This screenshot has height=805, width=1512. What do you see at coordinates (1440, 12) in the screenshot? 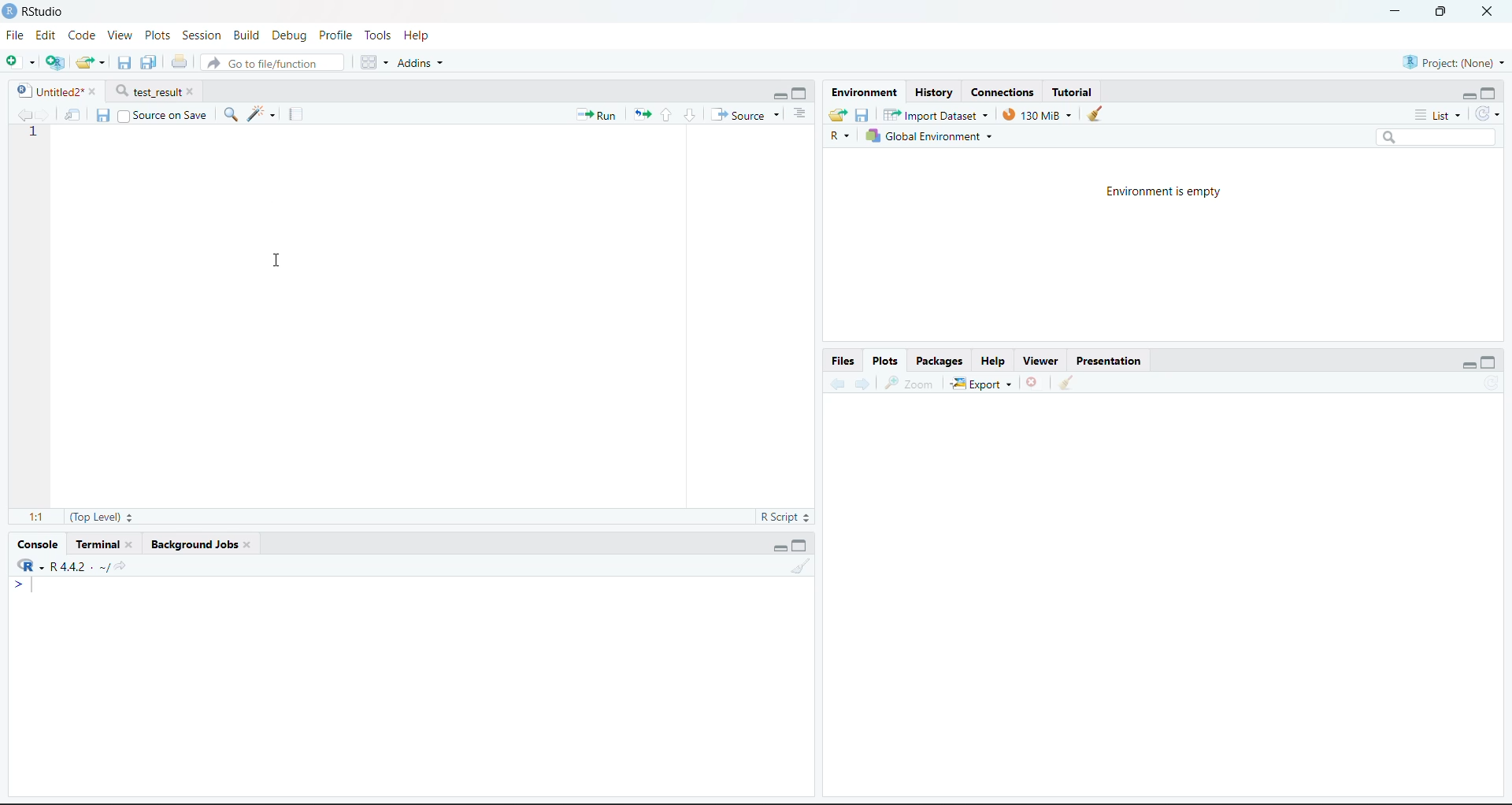
I see `Maximize` at bounding box center [1440, 12].